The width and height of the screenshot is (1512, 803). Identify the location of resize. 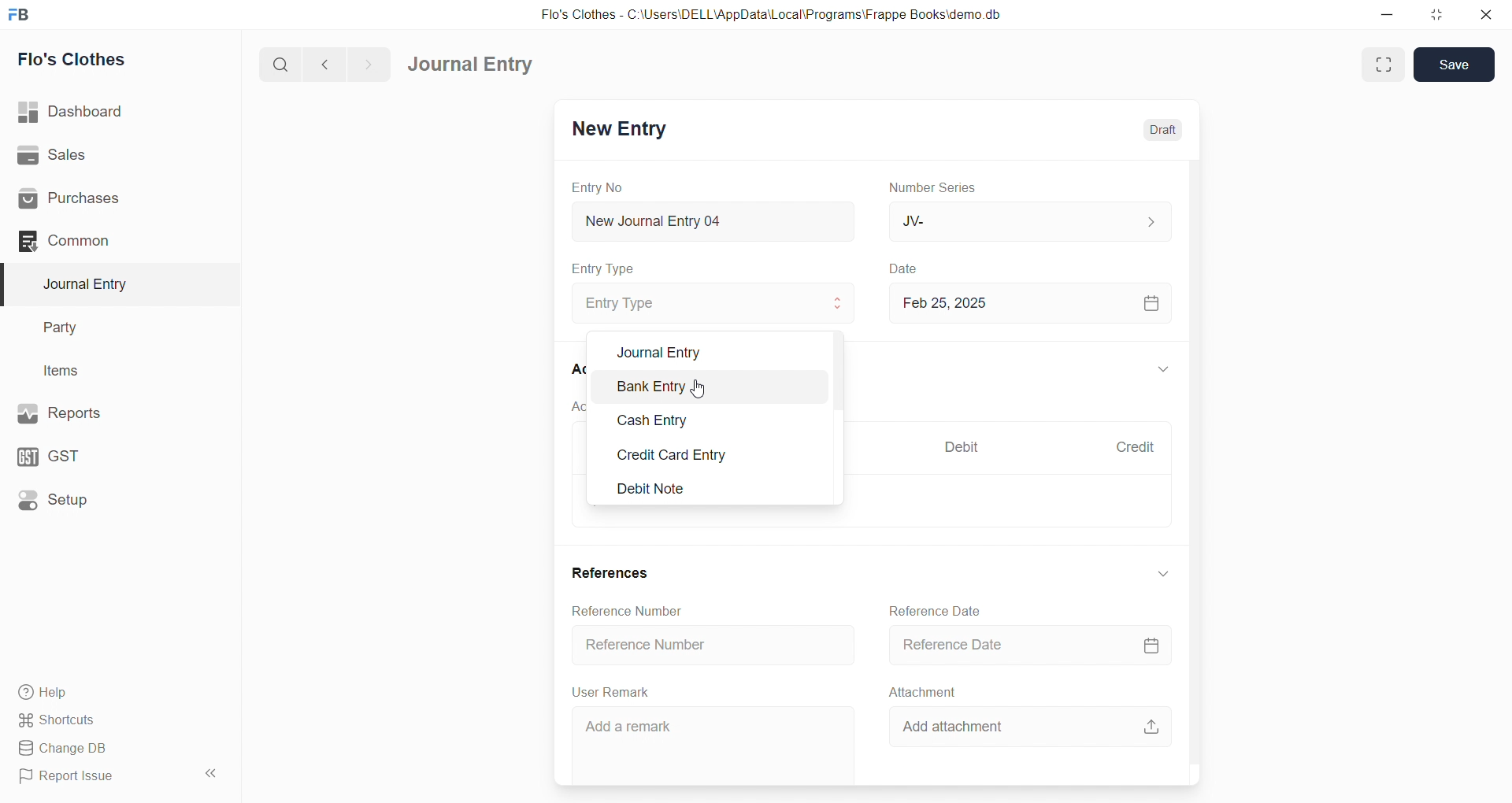
(1436, 14).